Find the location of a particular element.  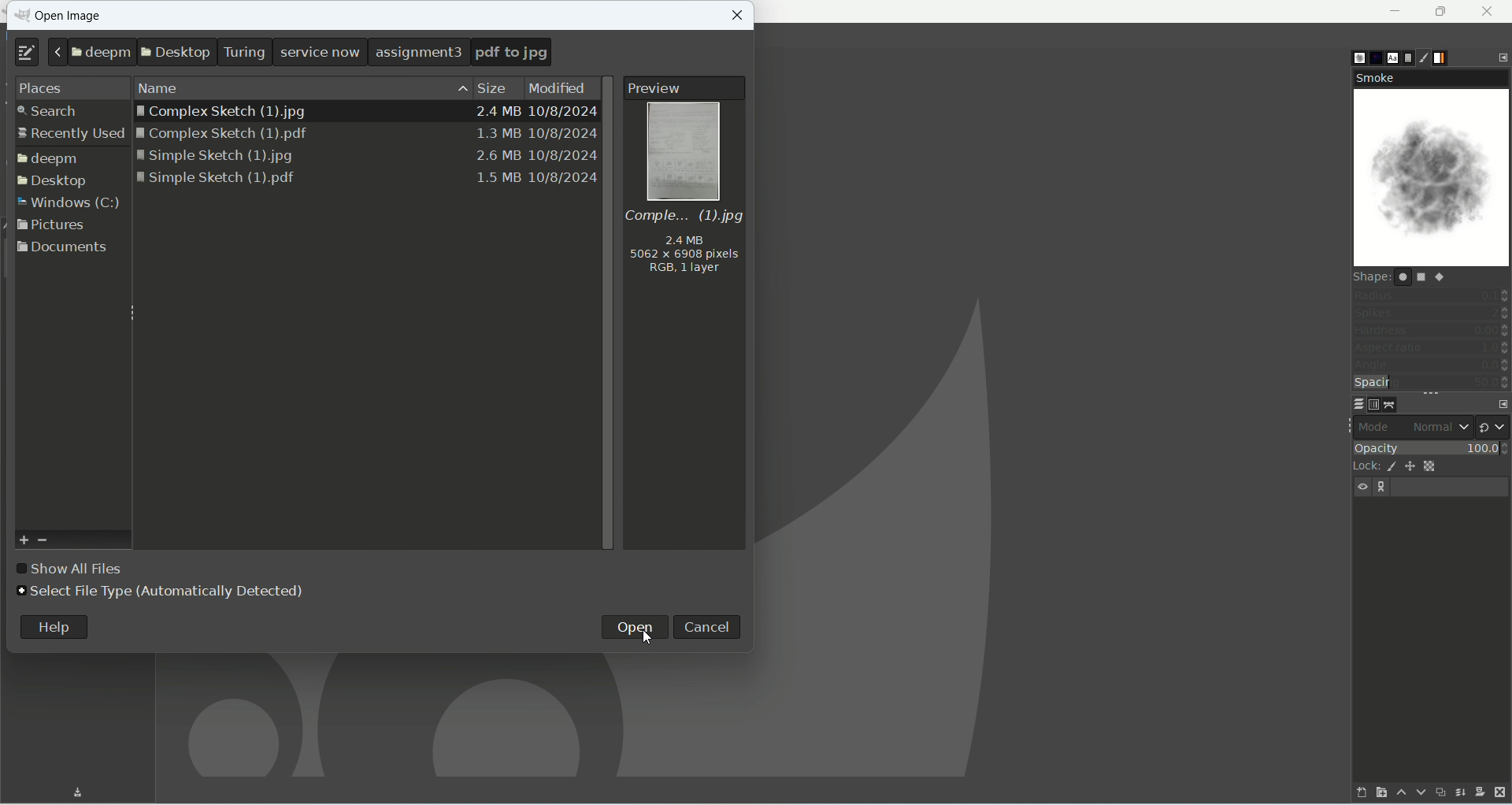

raise this layer is located at coordinates (1400, 792).